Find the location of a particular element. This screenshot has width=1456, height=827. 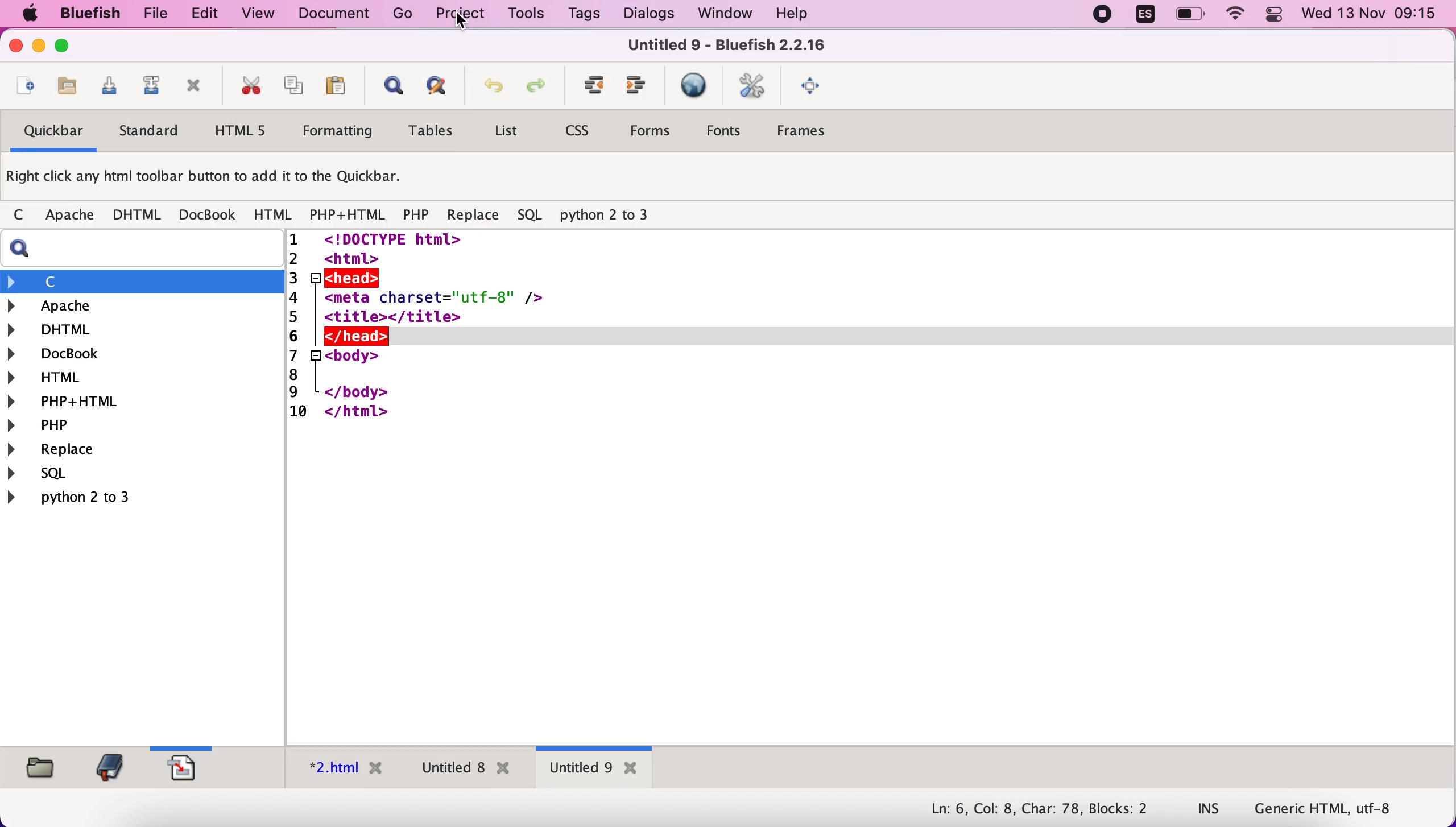

time and date is located at coordinates (1371, 15).